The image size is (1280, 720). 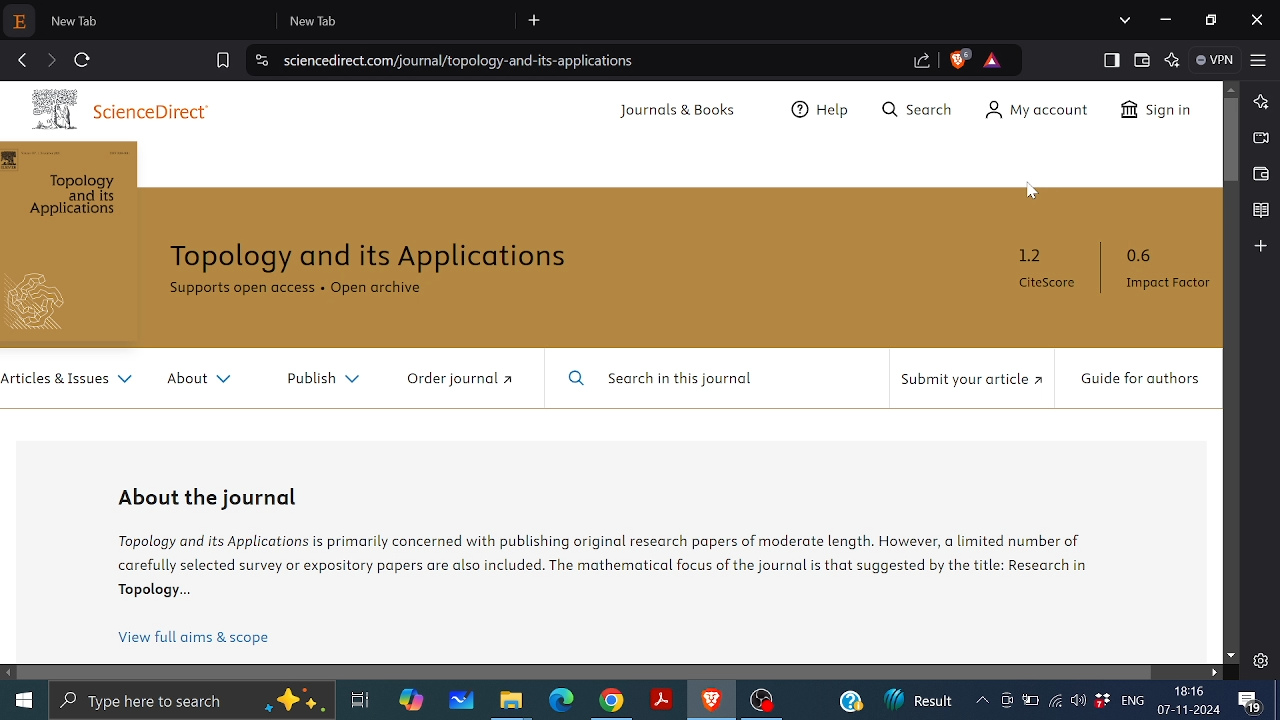 I want to click on Publish, so click(x=327, y=381).